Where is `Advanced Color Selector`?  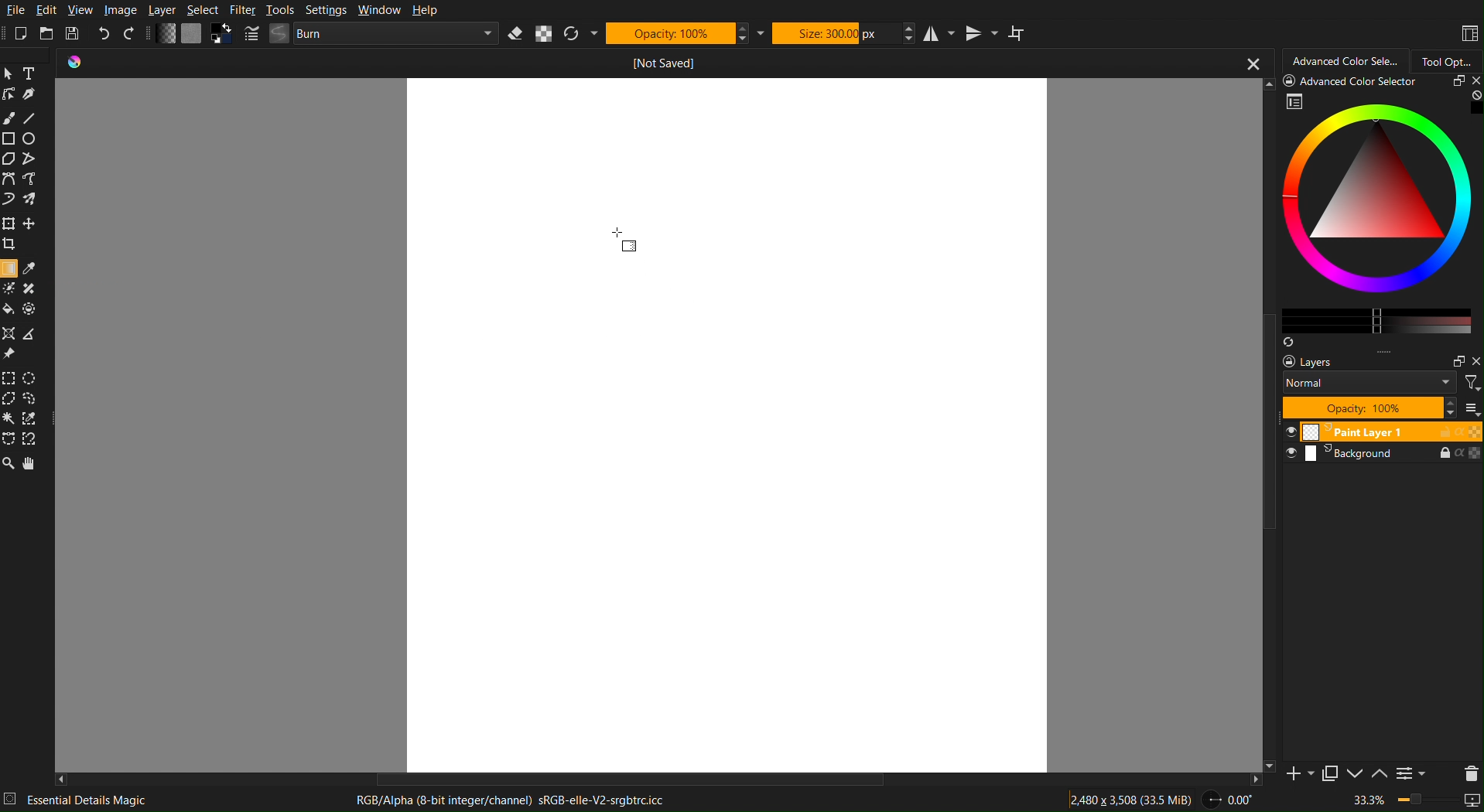 Advanced Color Selector is located at coordinates (1373, 210).